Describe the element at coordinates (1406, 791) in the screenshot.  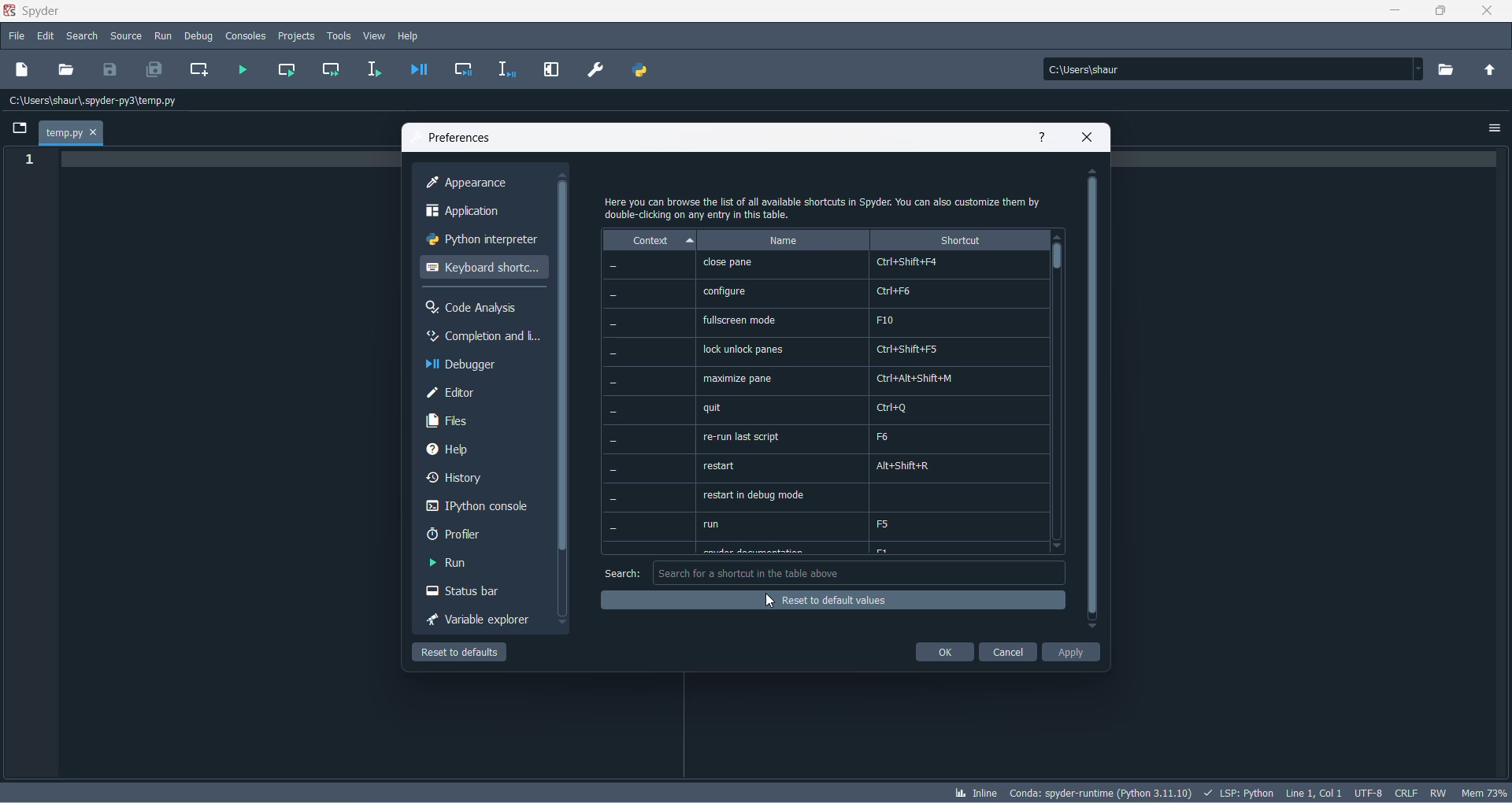
I see `file EOL status` at that location.